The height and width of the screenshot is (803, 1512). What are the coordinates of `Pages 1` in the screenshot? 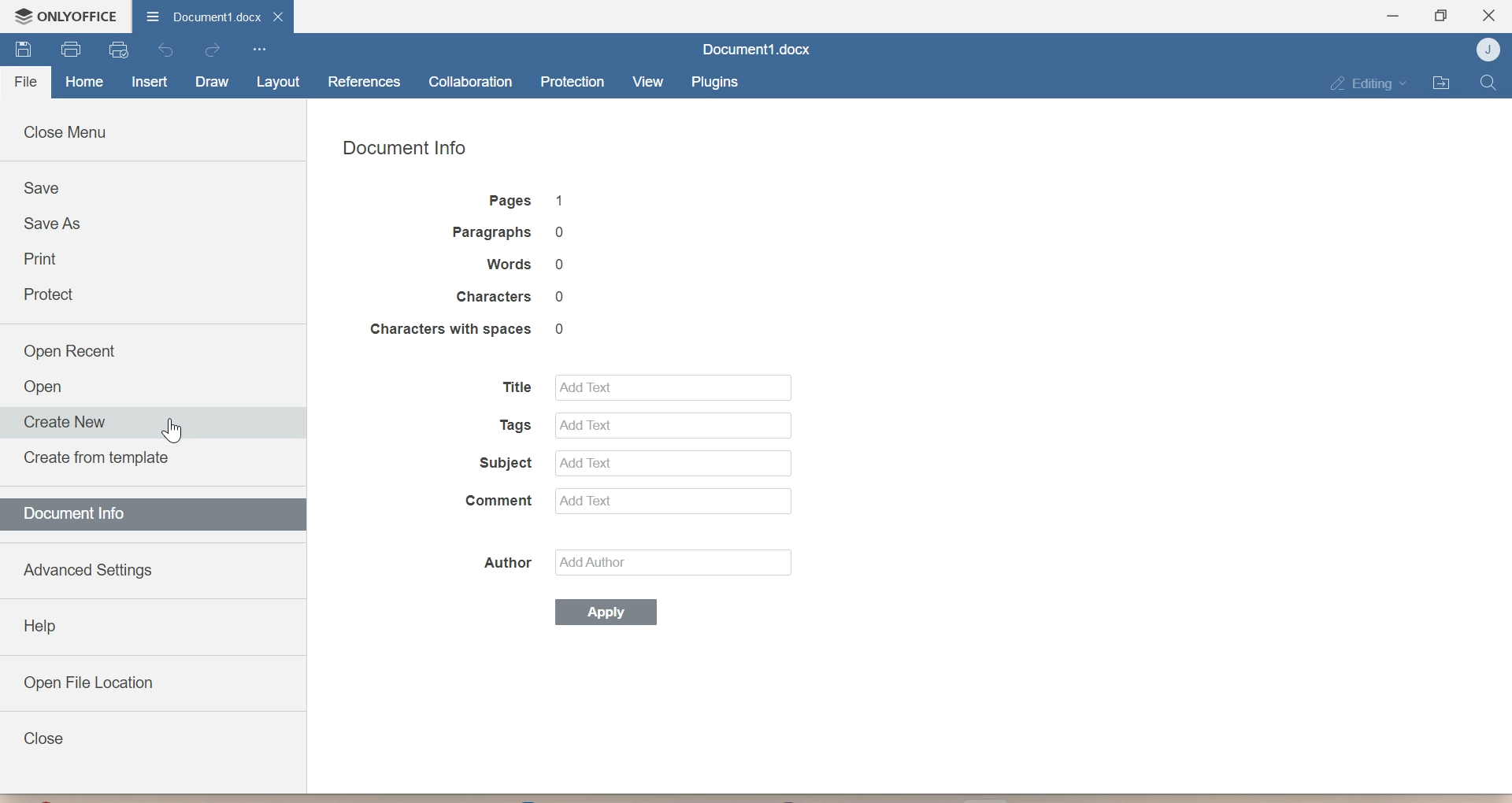 It's located at (525, 202).